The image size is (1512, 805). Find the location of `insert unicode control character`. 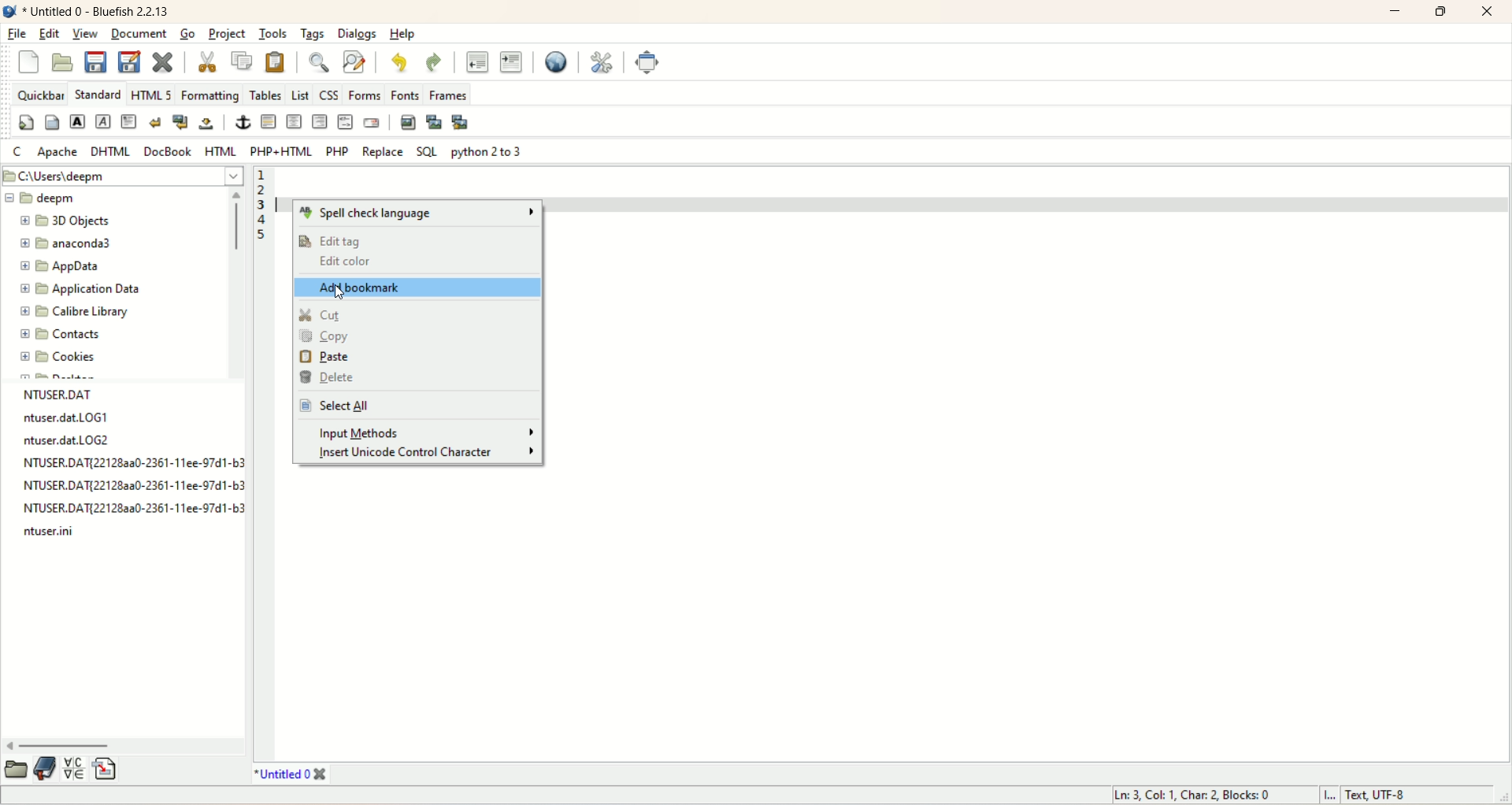

insert unicode control character is located at coordinates (429, 456).